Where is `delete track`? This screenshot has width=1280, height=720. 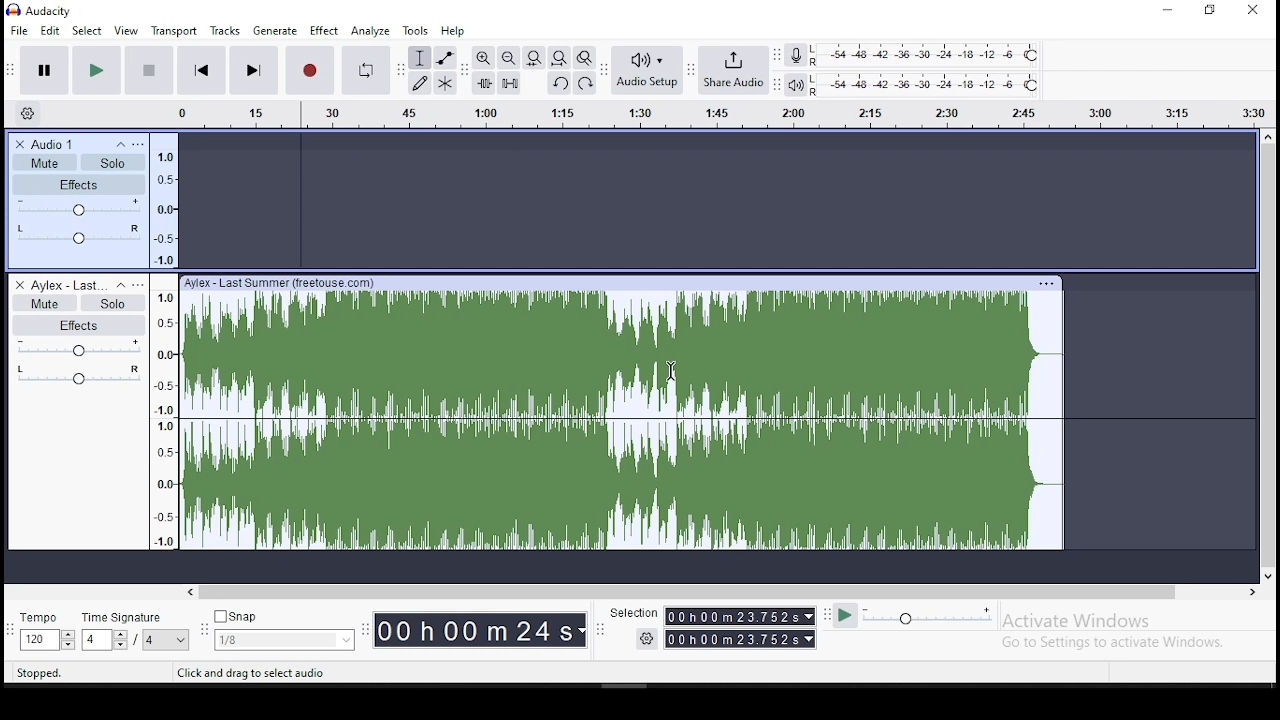 delete track is located at coordinates (19, 142).